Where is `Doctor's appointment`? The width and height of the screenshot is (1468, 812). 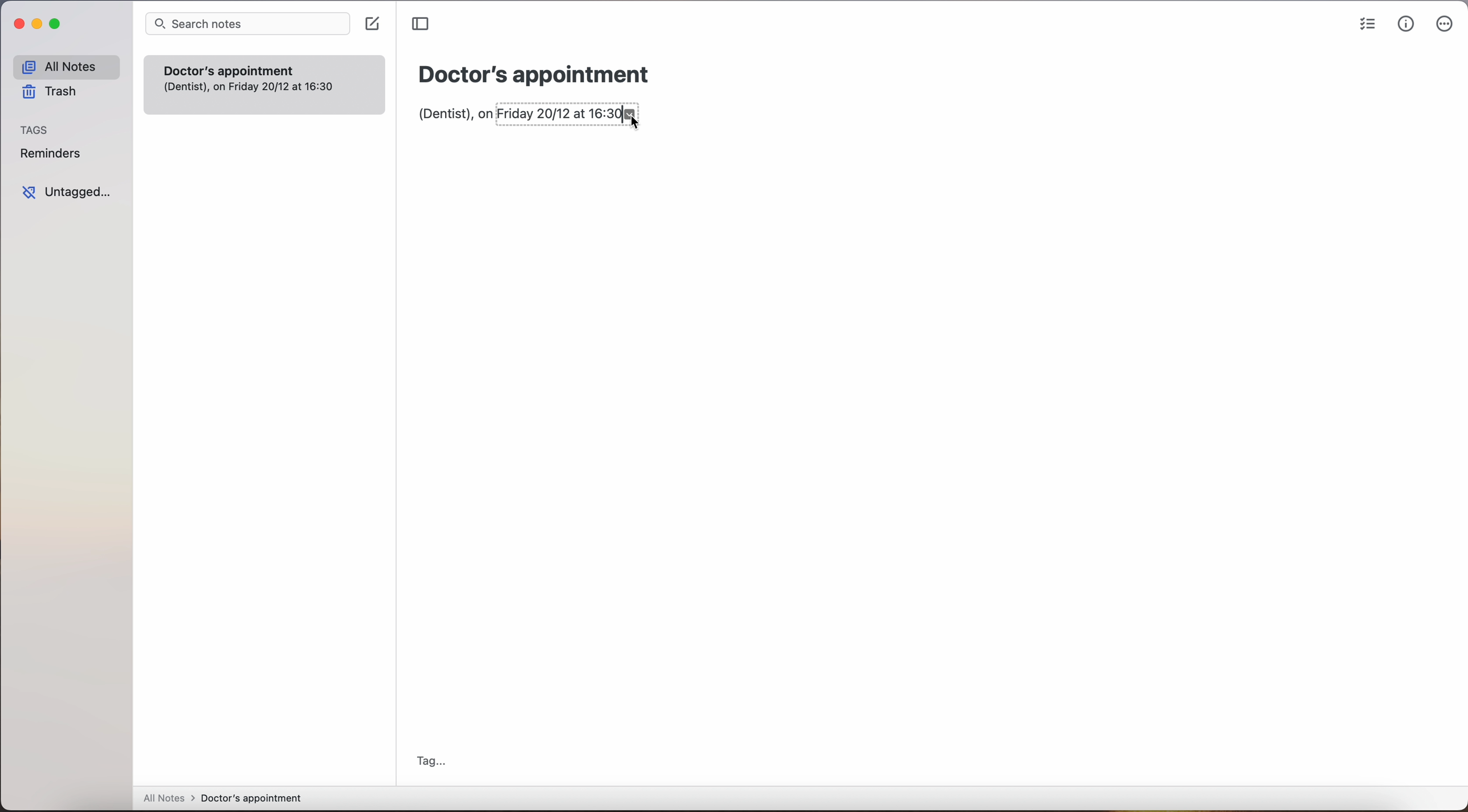
Doctor's appointment is located at coordinates (265, 67).